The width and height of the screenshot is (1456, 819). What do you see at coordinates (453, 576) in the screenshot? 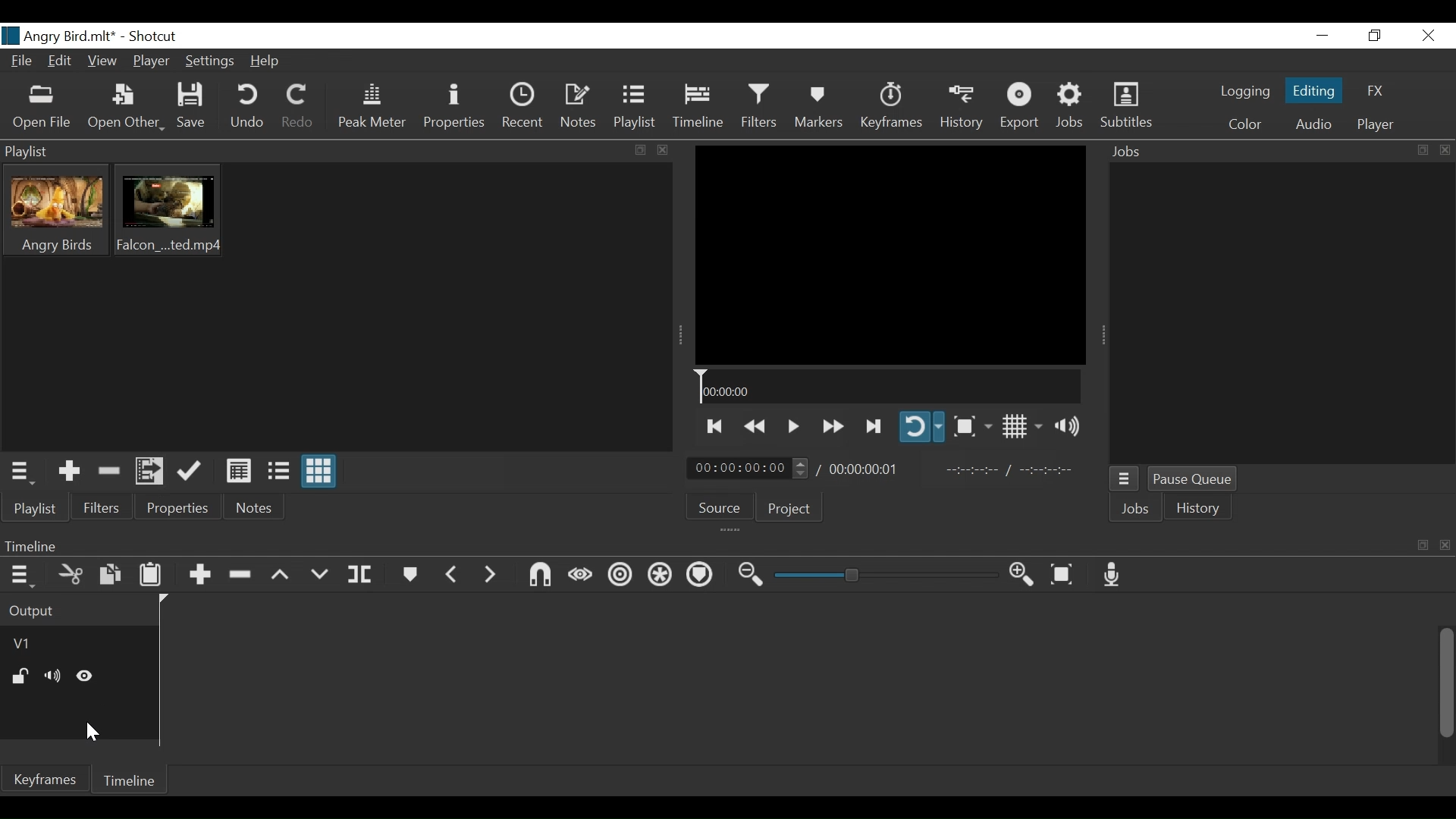
I see `Previous marker` at bounding box center [453, 576].